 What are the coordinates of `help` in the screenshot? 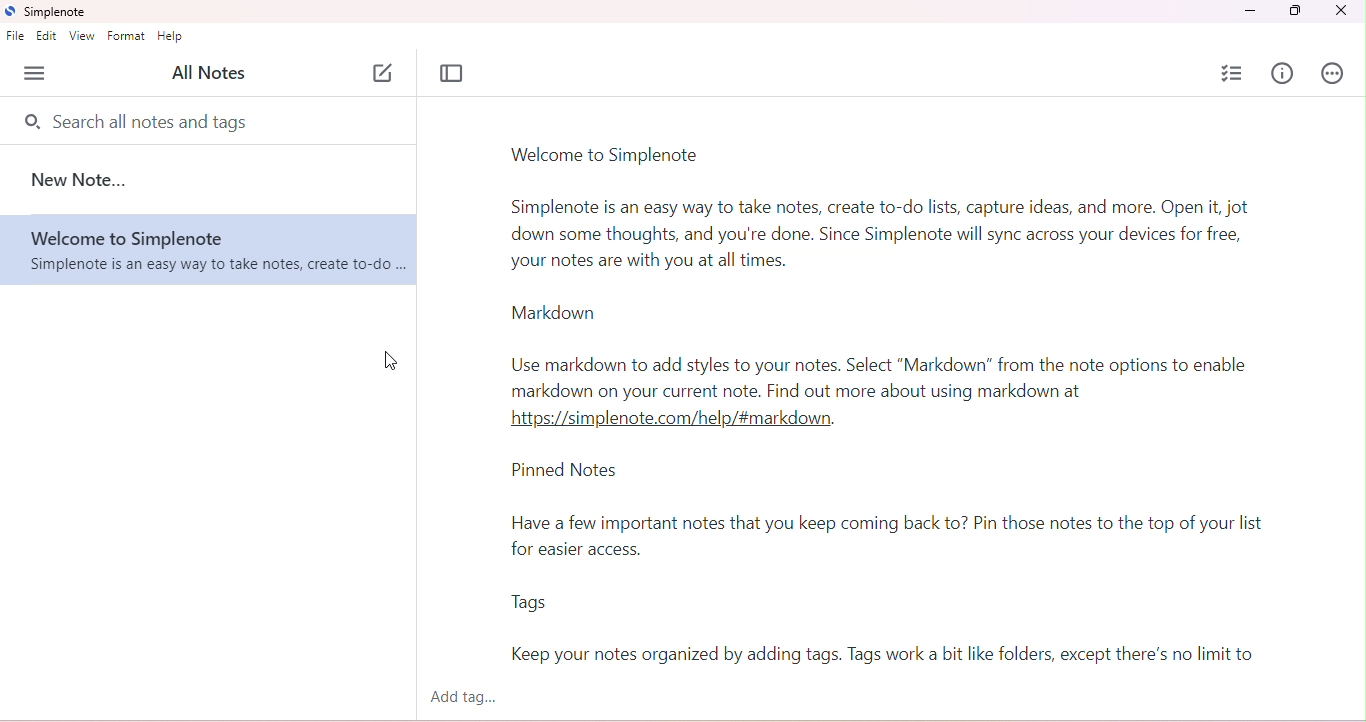 It's located at (171, 37).